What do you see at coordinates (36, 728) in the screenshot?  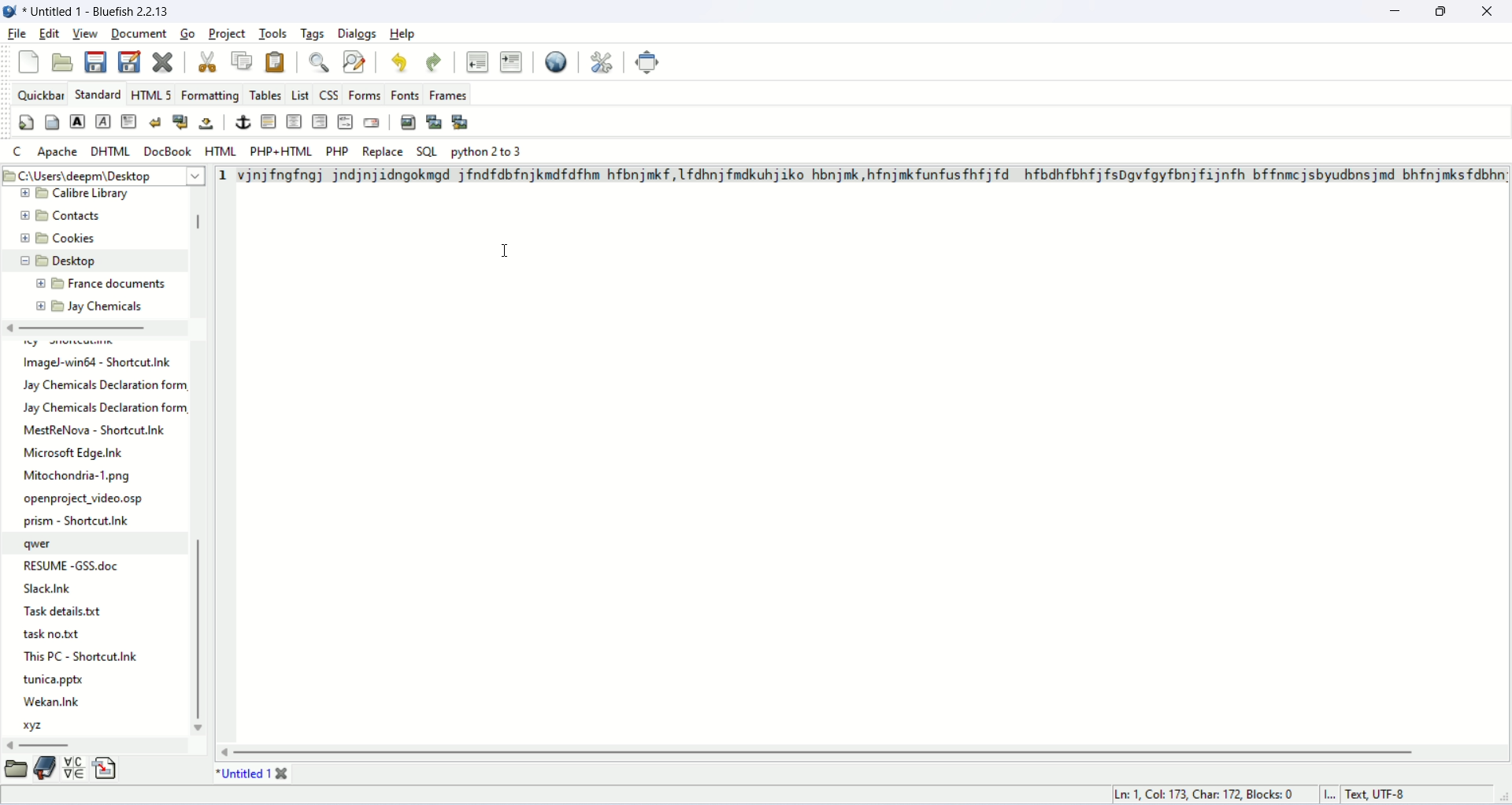 I see `xyz` at bounding box center [36, 728].